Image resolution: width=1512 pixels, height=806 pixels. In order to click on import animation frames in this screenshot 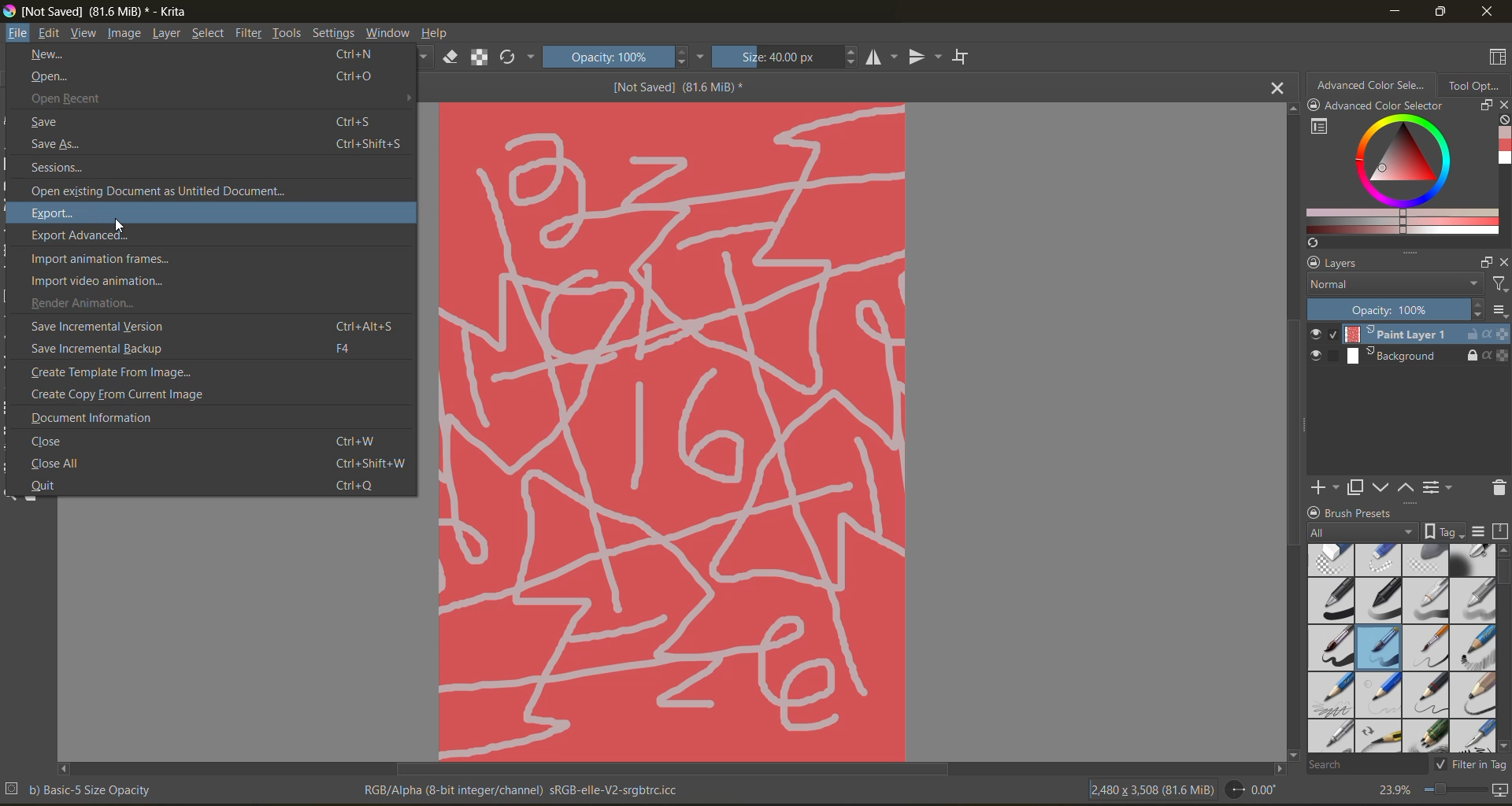, I will do `click(102, 258)`.